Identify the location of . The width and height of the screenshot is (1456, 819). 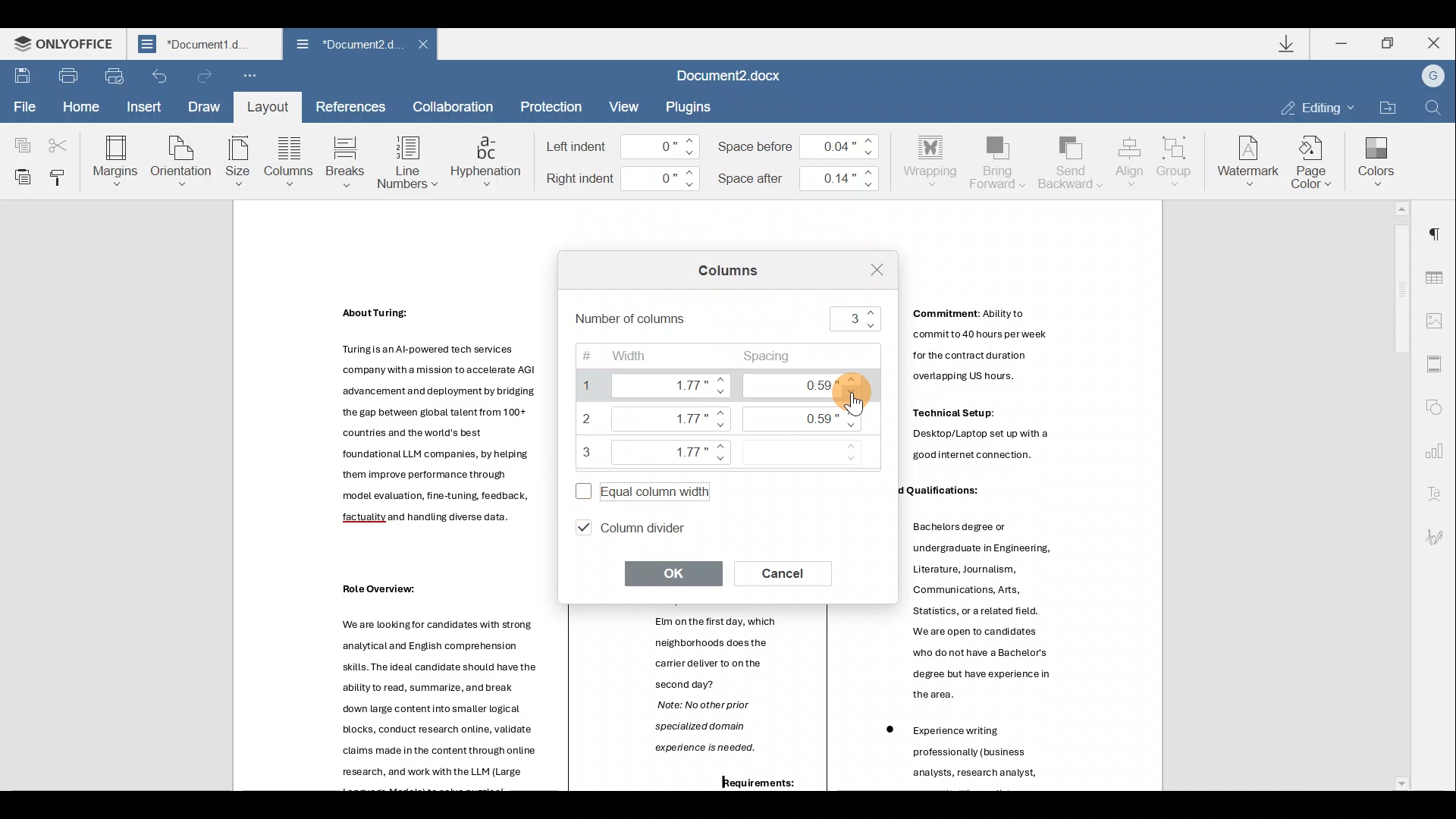
(995, 386).